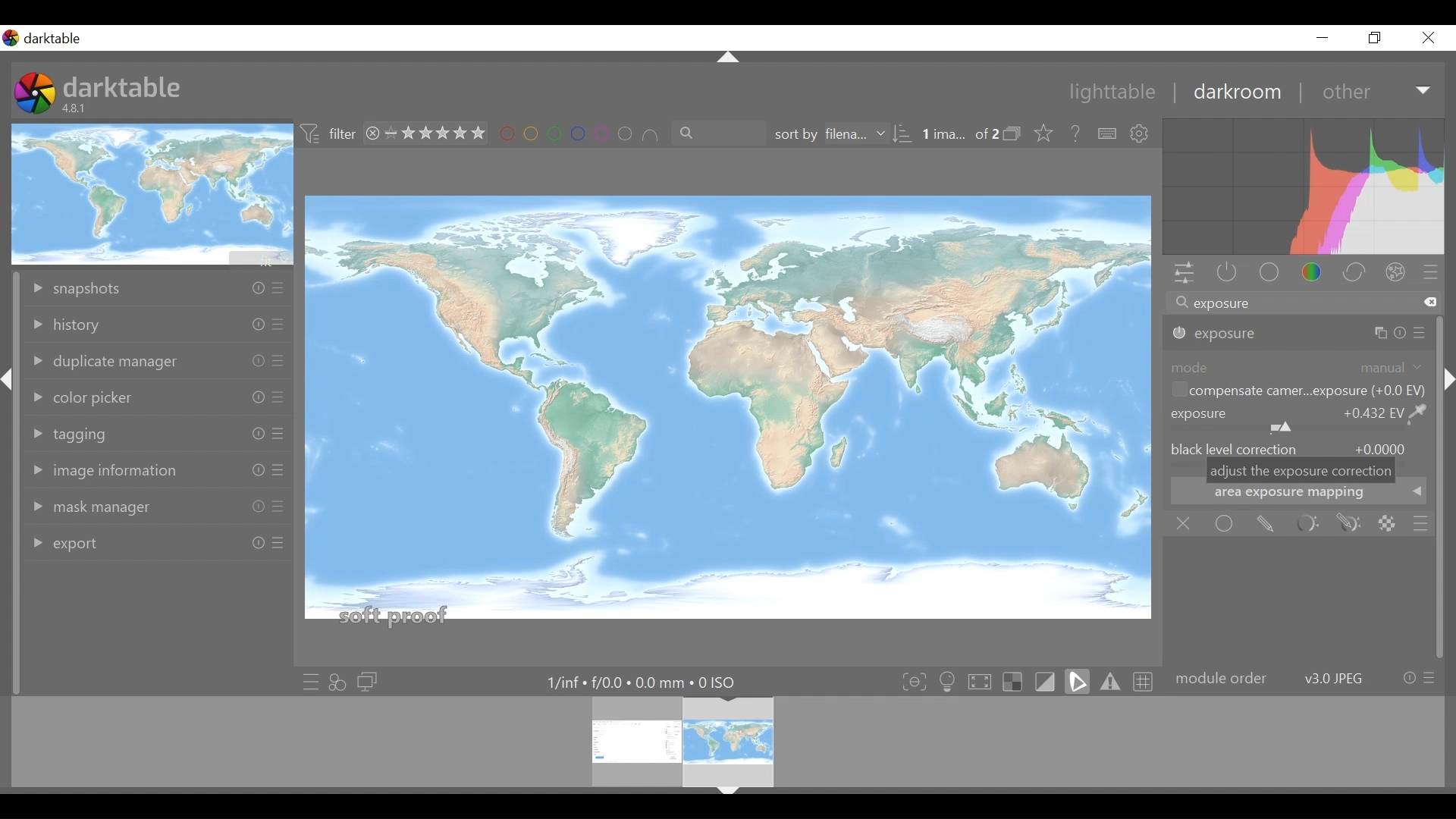  What do you see at coordinates (310, 682) in the screenshot?
I see `quick access to presets` at bounding box center [310, 682].